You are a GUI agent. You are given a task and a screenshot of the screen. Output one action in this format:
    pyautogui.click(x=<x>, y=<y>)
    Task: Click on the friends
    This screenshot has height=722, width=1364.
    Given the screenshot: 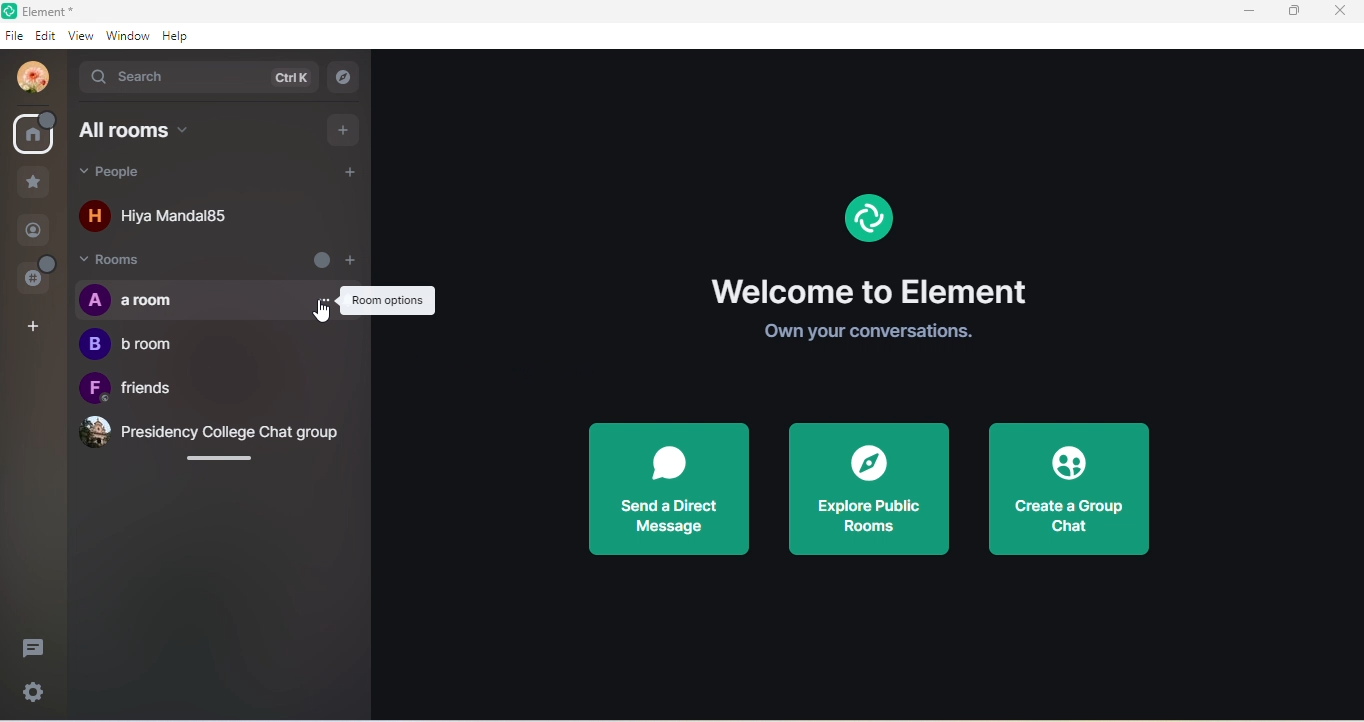 What is the action you would take?
    pyautogui.click(x=139, y=391)
    